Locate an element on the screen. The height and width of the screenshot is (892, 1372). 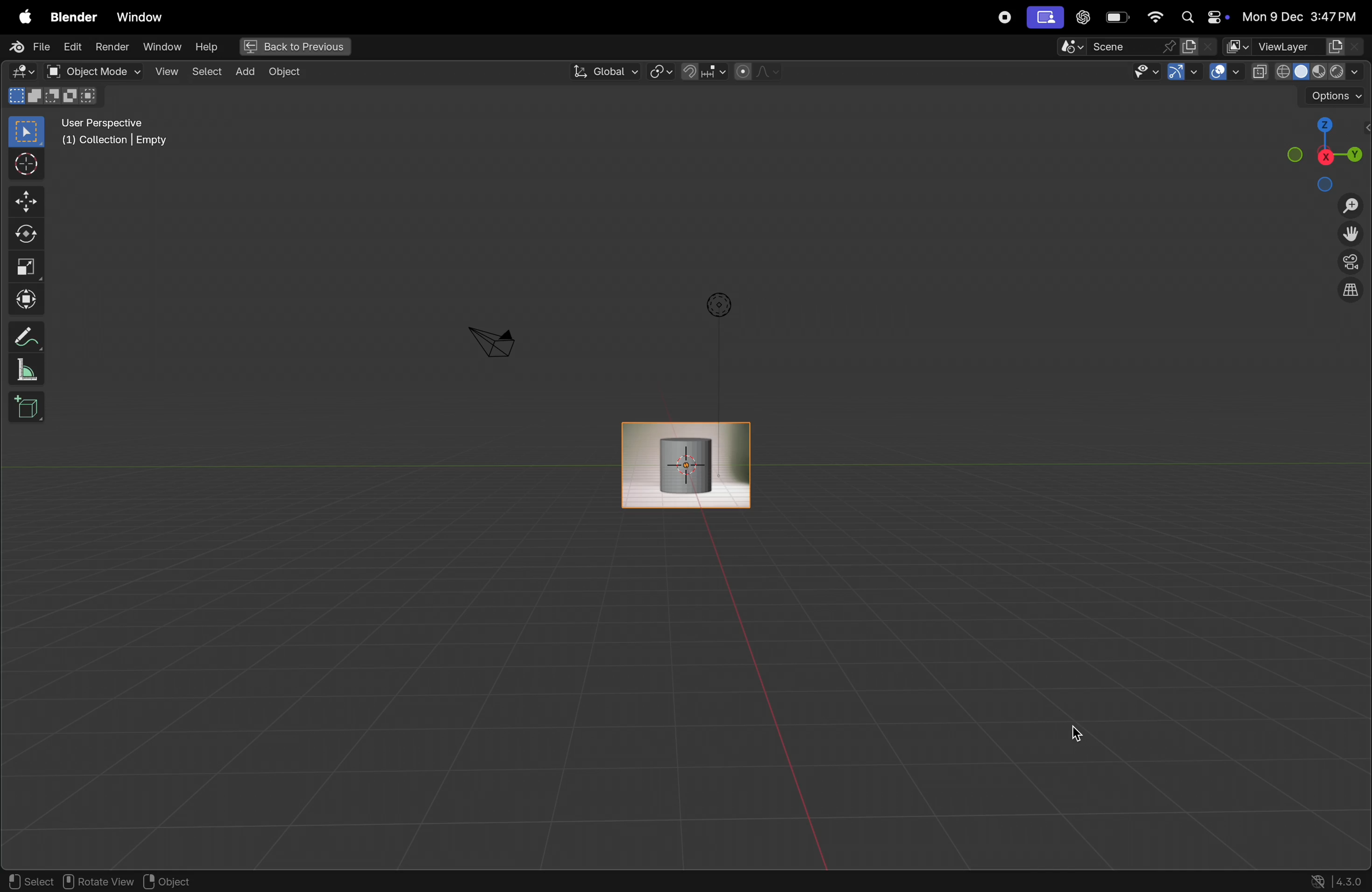
view point is located at coordinates (1326, 151).